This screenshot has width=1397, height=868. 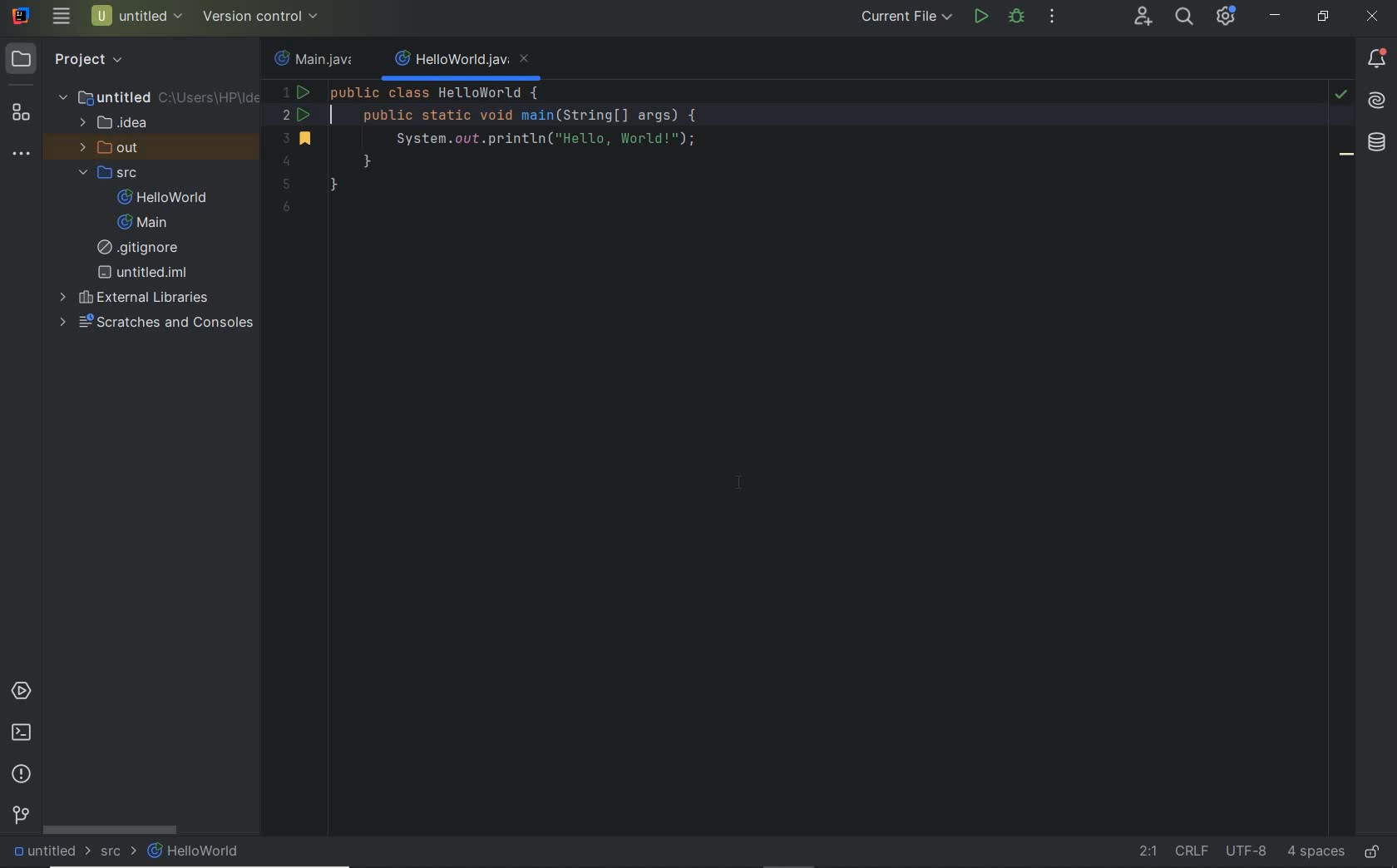 What do you see at coordinates (20, 154) in the screenshot?
I see `more tool windows` at bounding box center [20, 154].